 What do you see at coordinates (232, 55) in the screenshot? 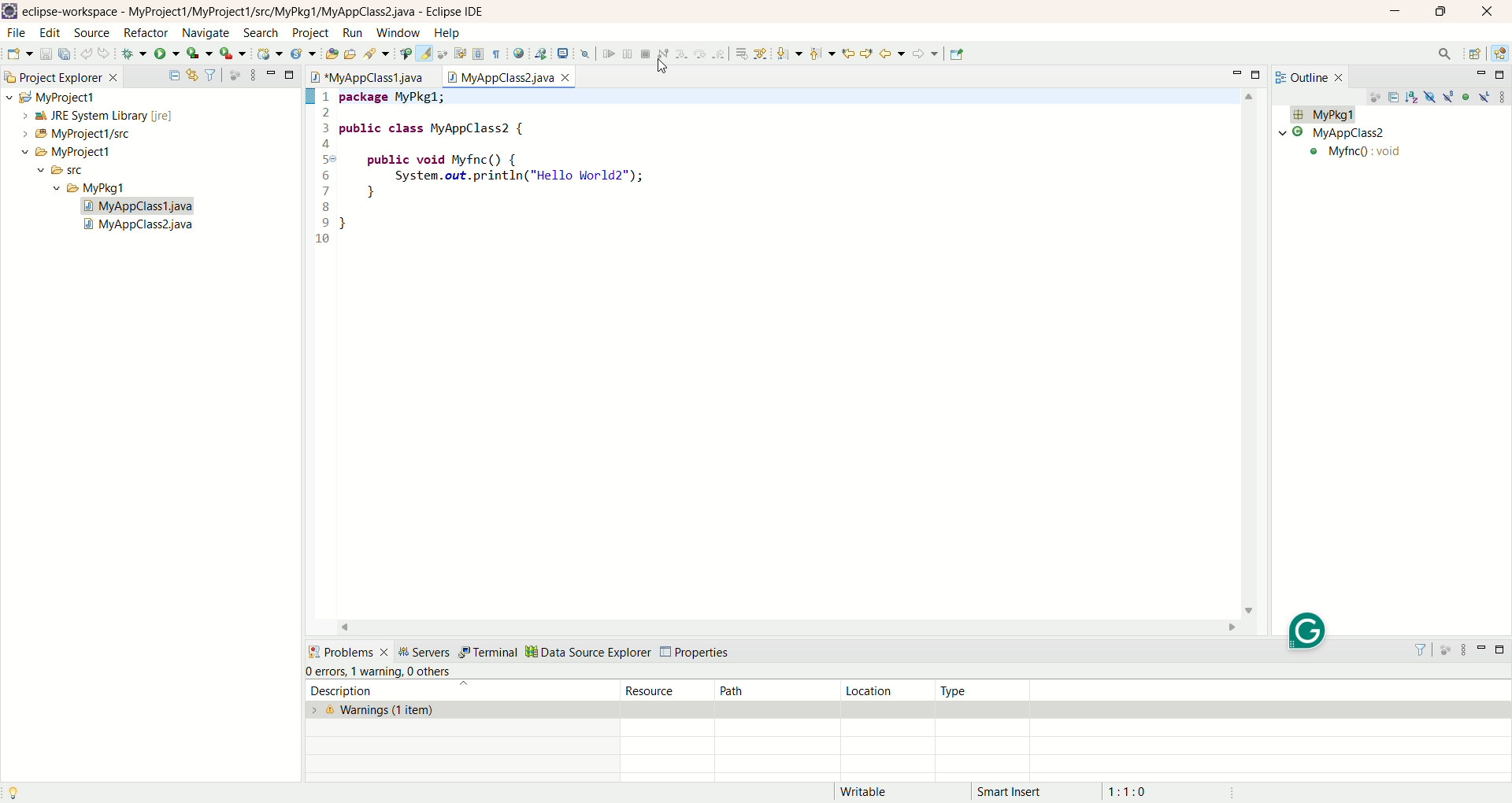
I see `run last tool` at bounding box center [232, 55].